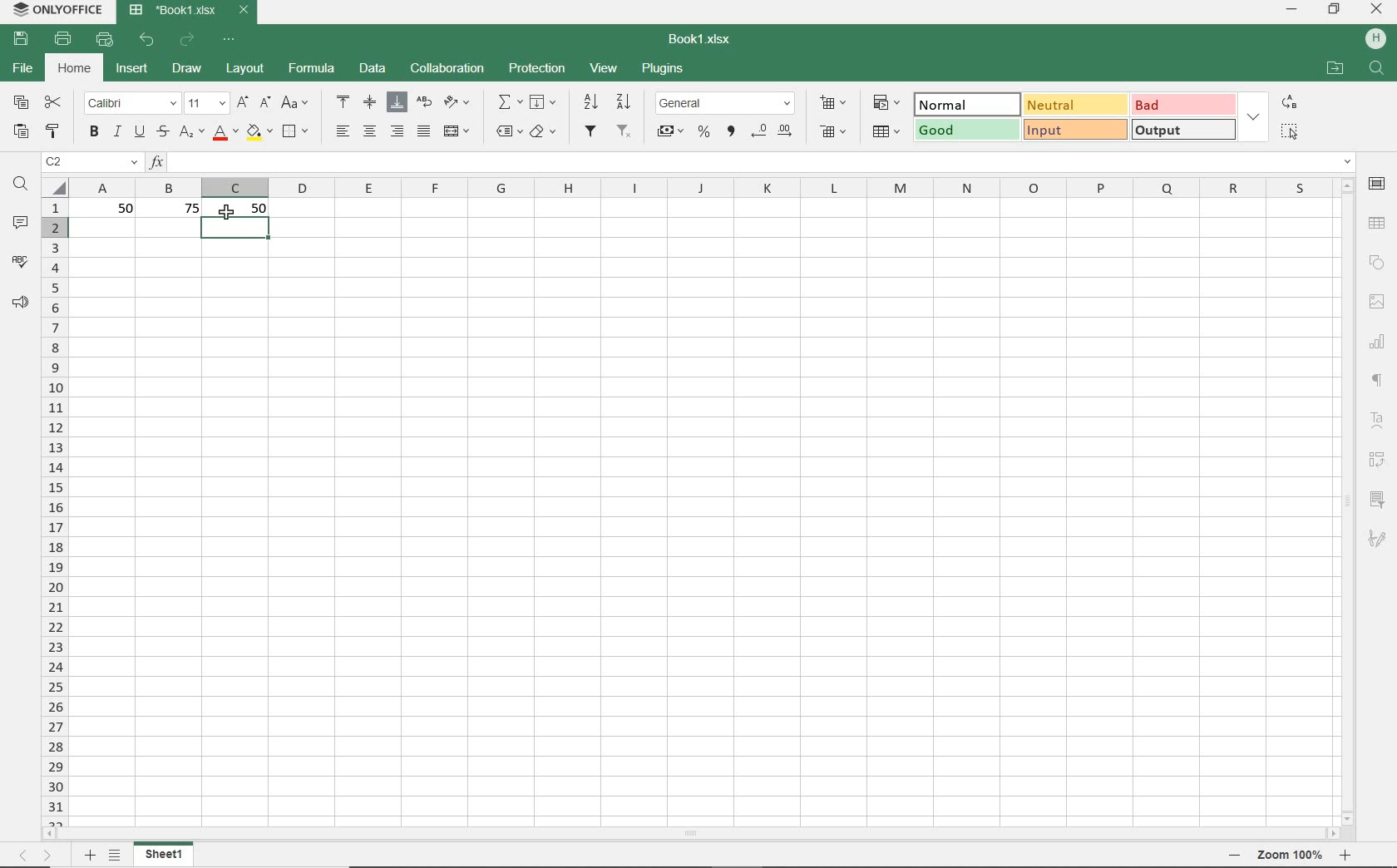  I want to click on file, so click(21, 70).